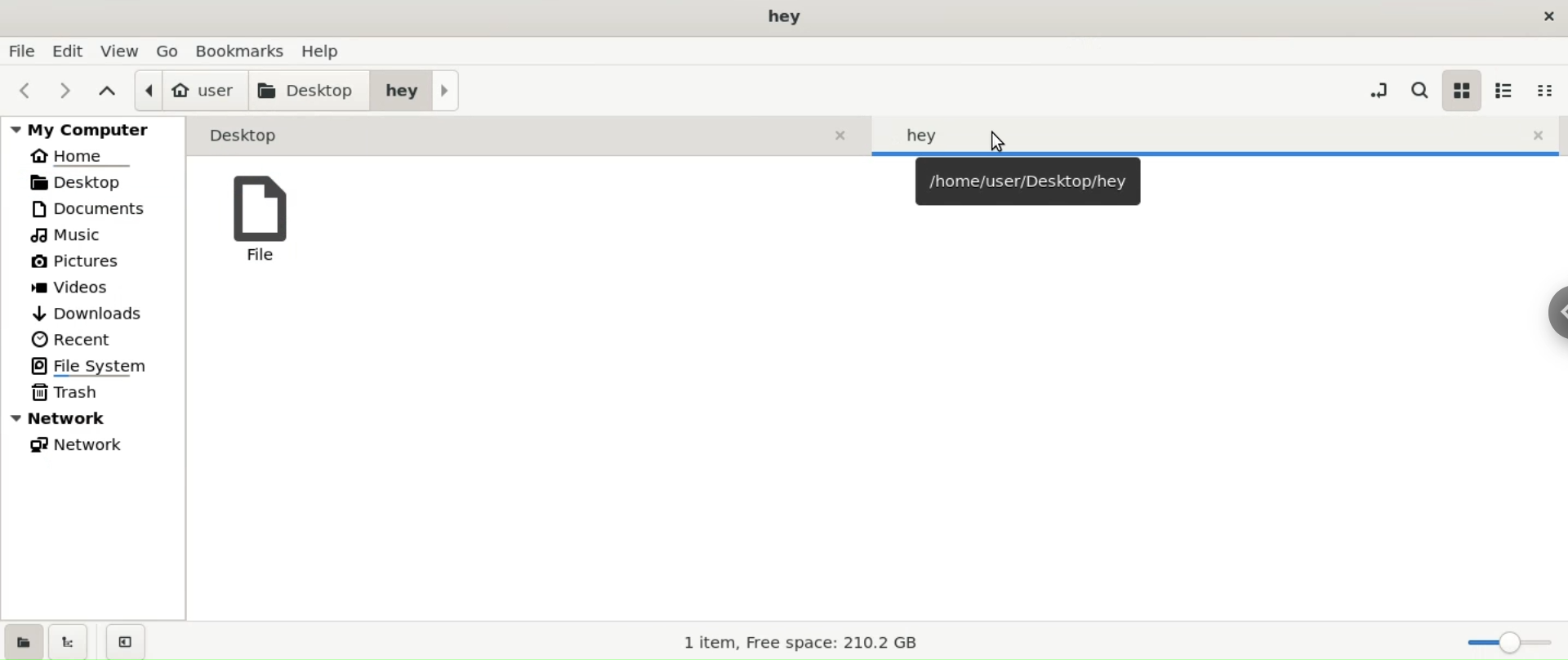 The height and width of the screenshot is (660, 1568). I want to click on recent, so click(96, 341).